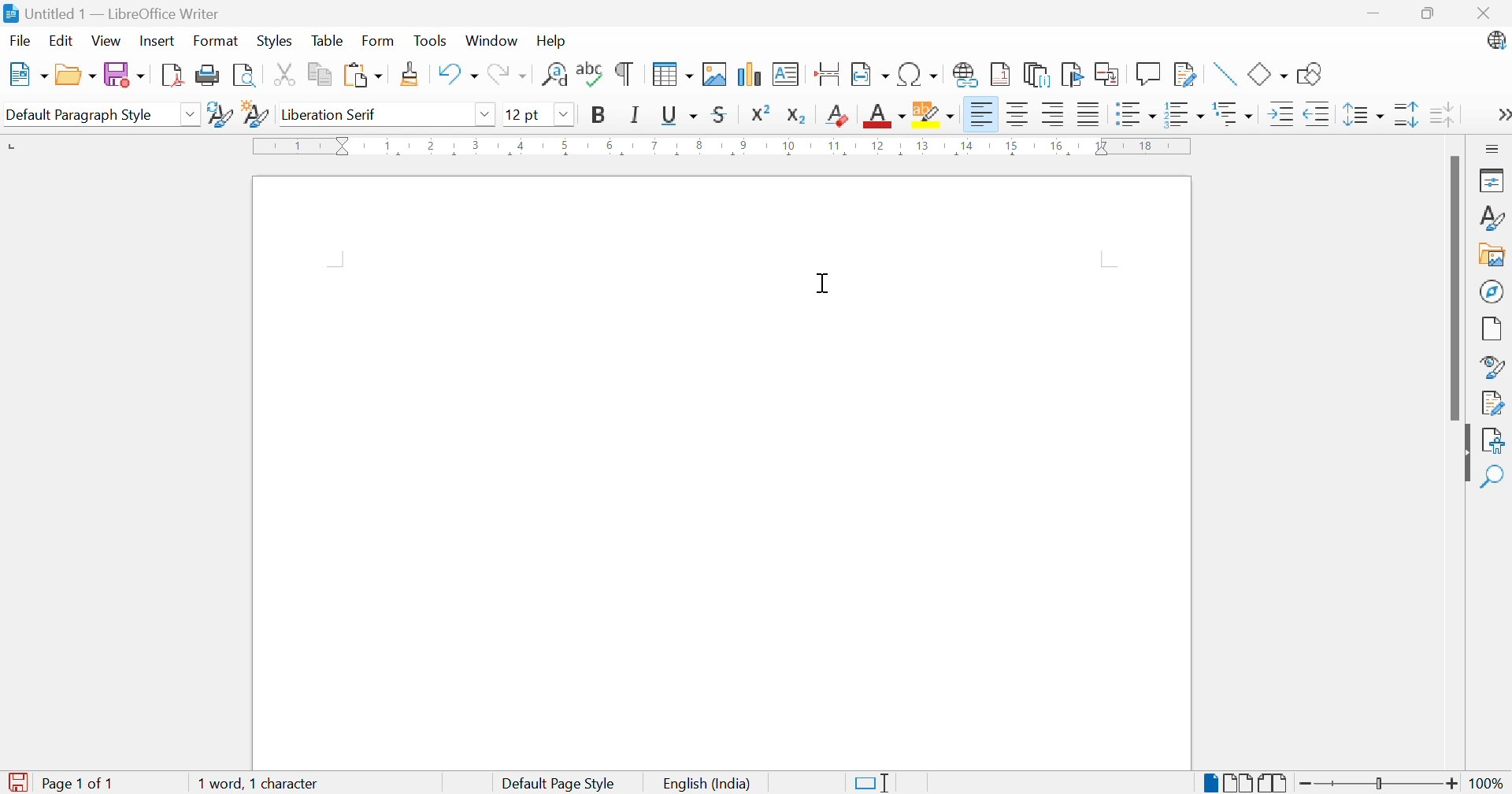  What do you see at coordinates (80, 115) in the screenshot?
I see `Default Paragraph Style` at bounding box center [80, 115].